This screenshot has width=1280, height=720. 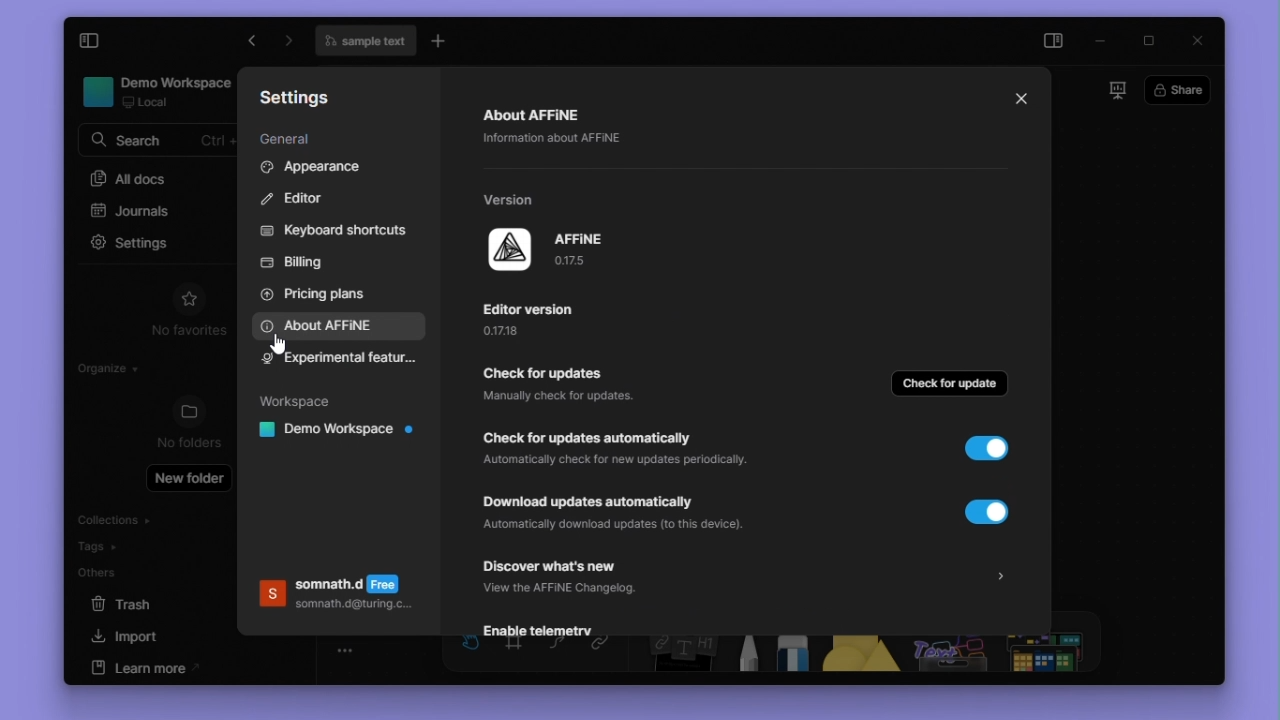 I want to click on automatic updates check button and explanatory text, so click(x=623, y=452).